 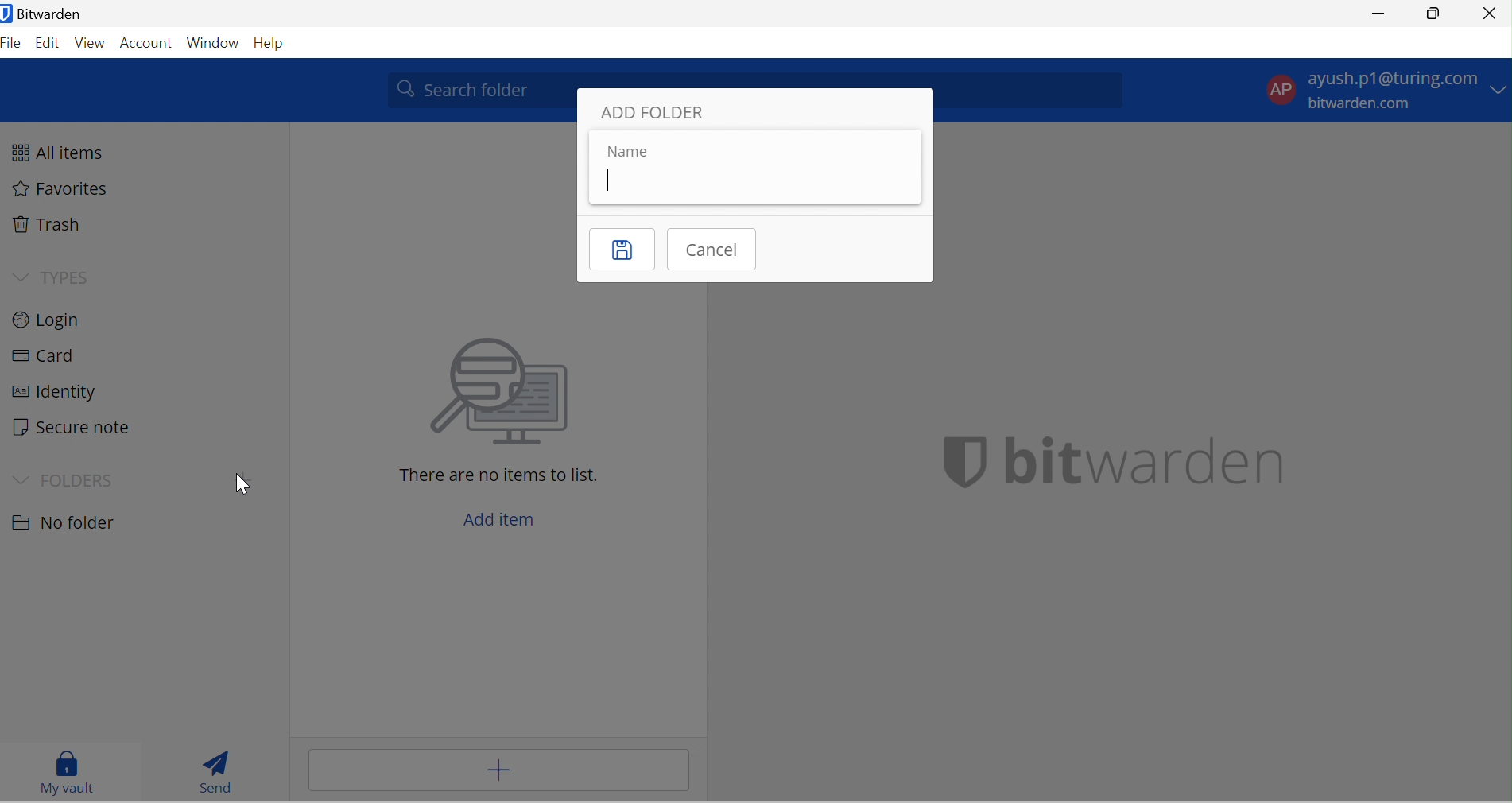 I want to click on Edit, so click(x=48, y=42).